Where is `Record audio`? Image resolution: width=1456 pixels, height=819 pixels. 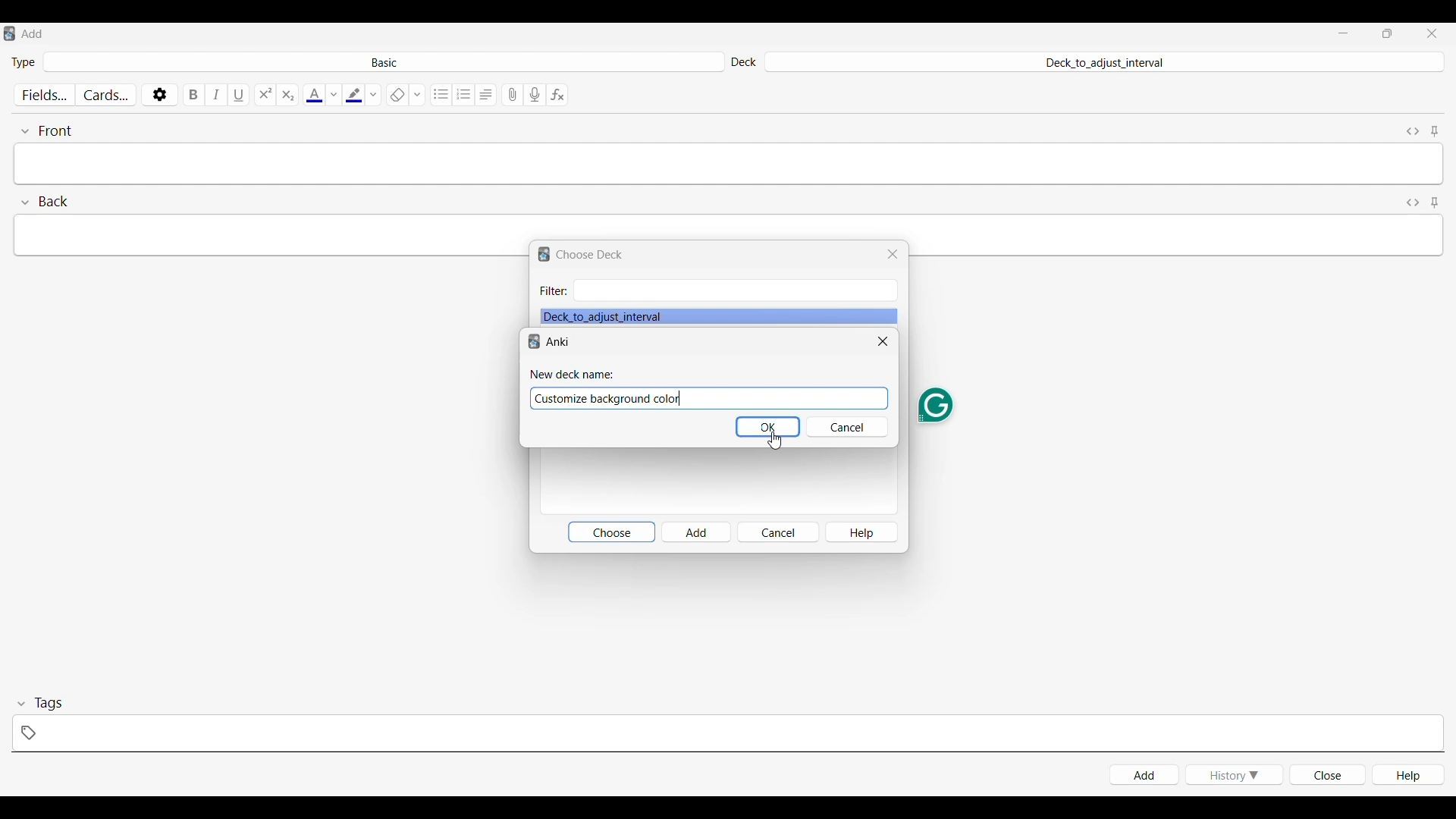
Record audio is located at coordinates (535, 95).